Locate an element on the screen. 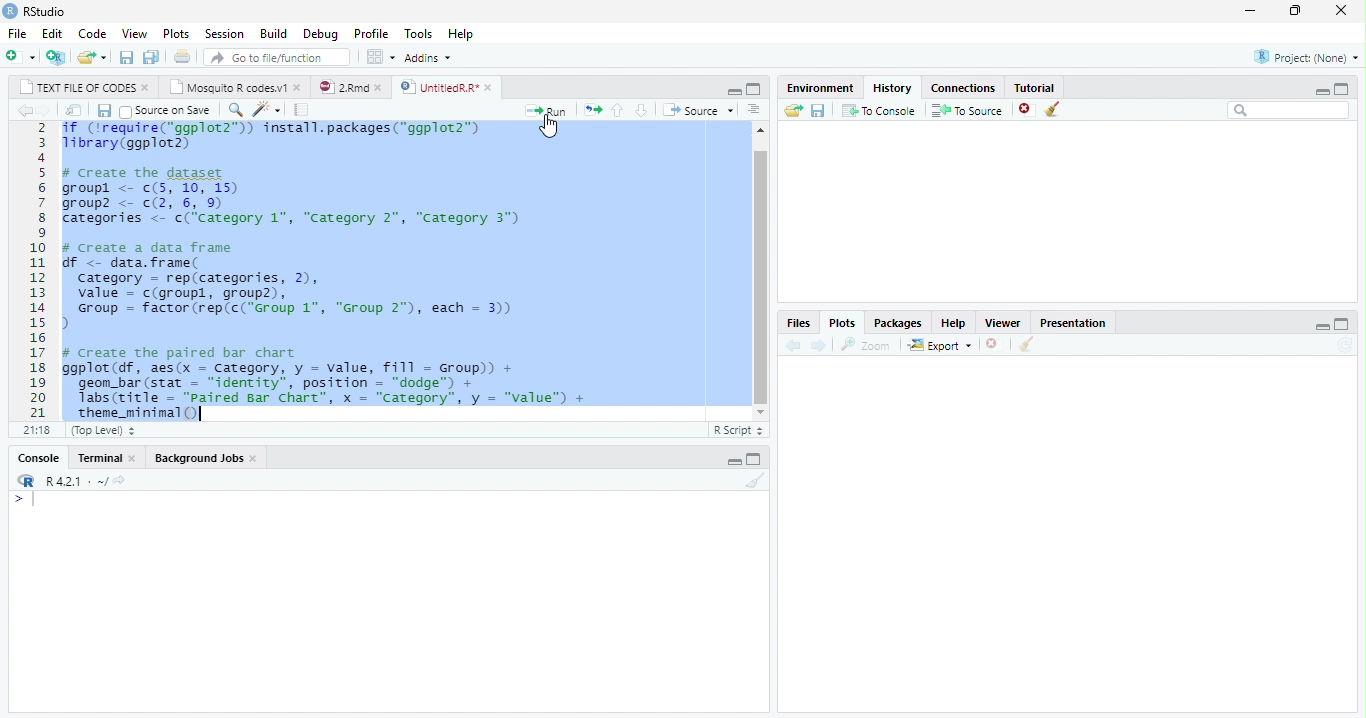 The width and height of the screenshot is (1366, 718). source on save is located at coordinates (165, 110).